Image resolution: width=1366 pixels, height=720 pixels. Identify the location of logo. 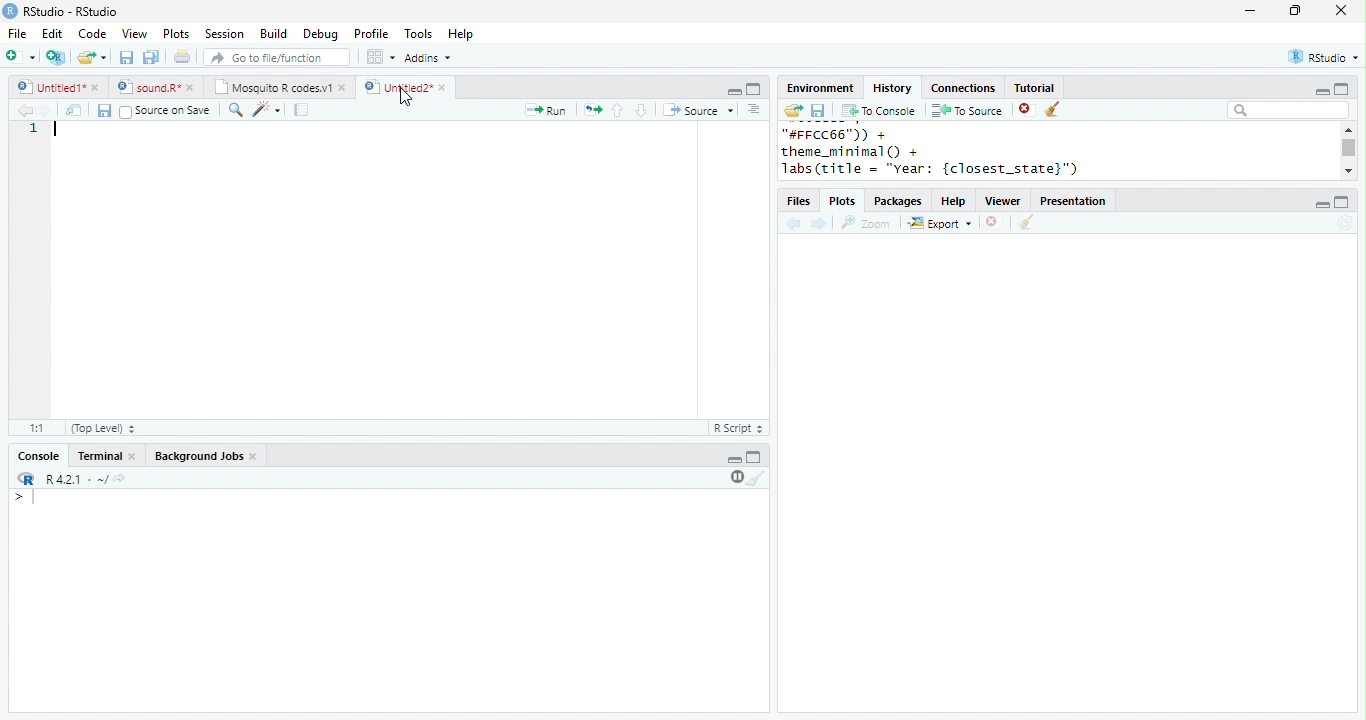
(10, 11).